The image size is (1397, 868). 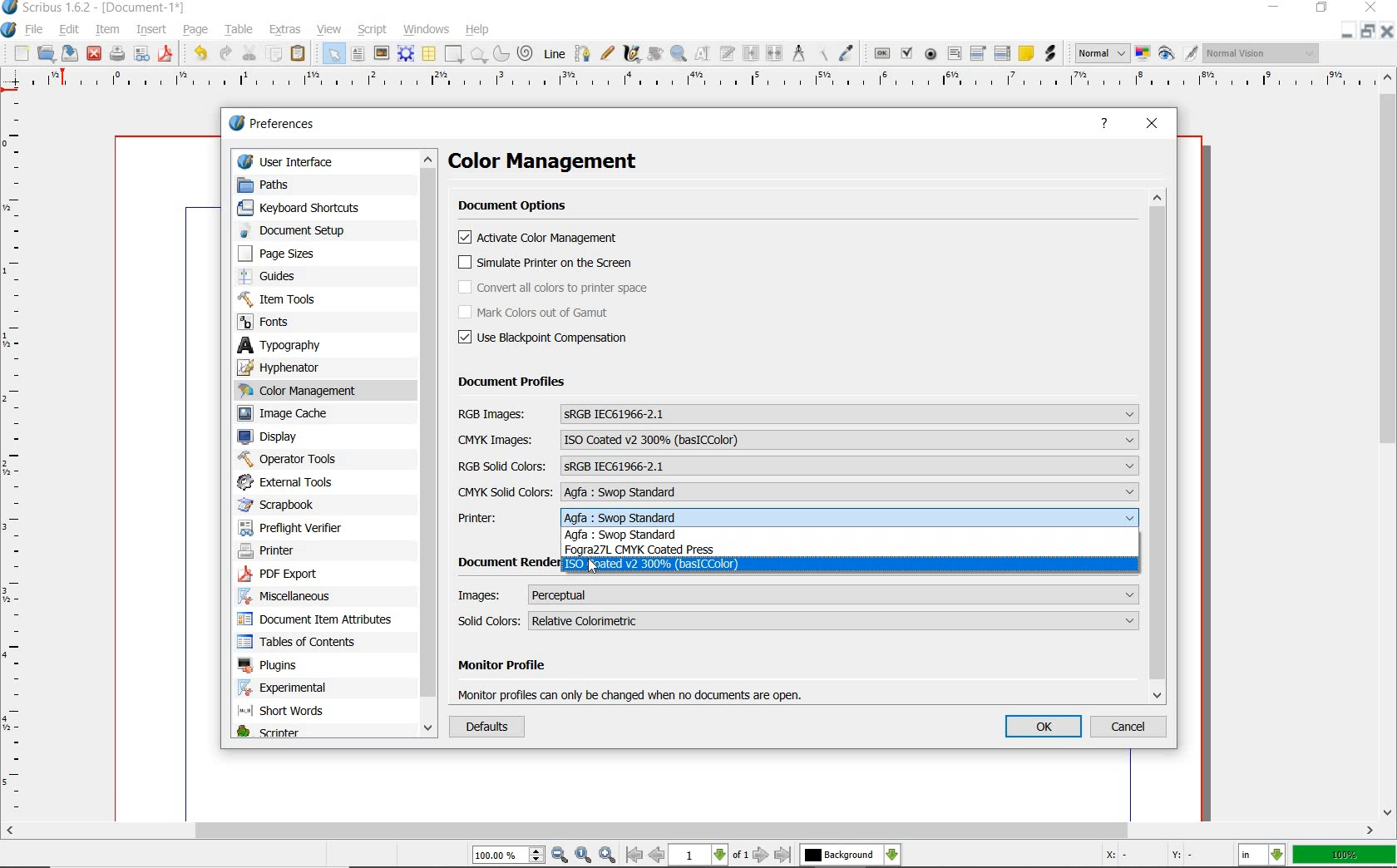 I want to click on extras, so click(x=287, y=30).